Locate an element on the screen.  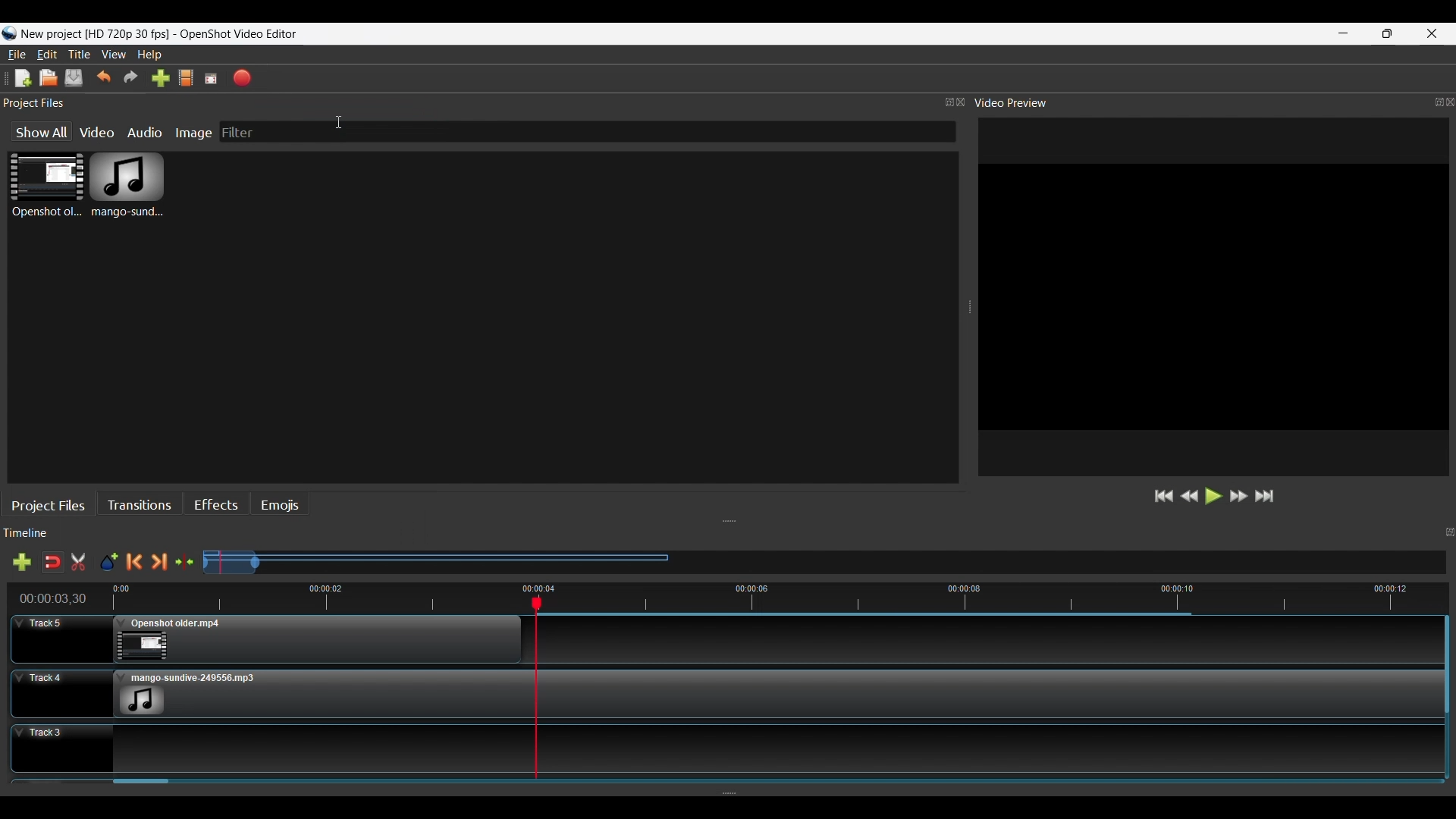
Help is located at coordinates (150, 54).